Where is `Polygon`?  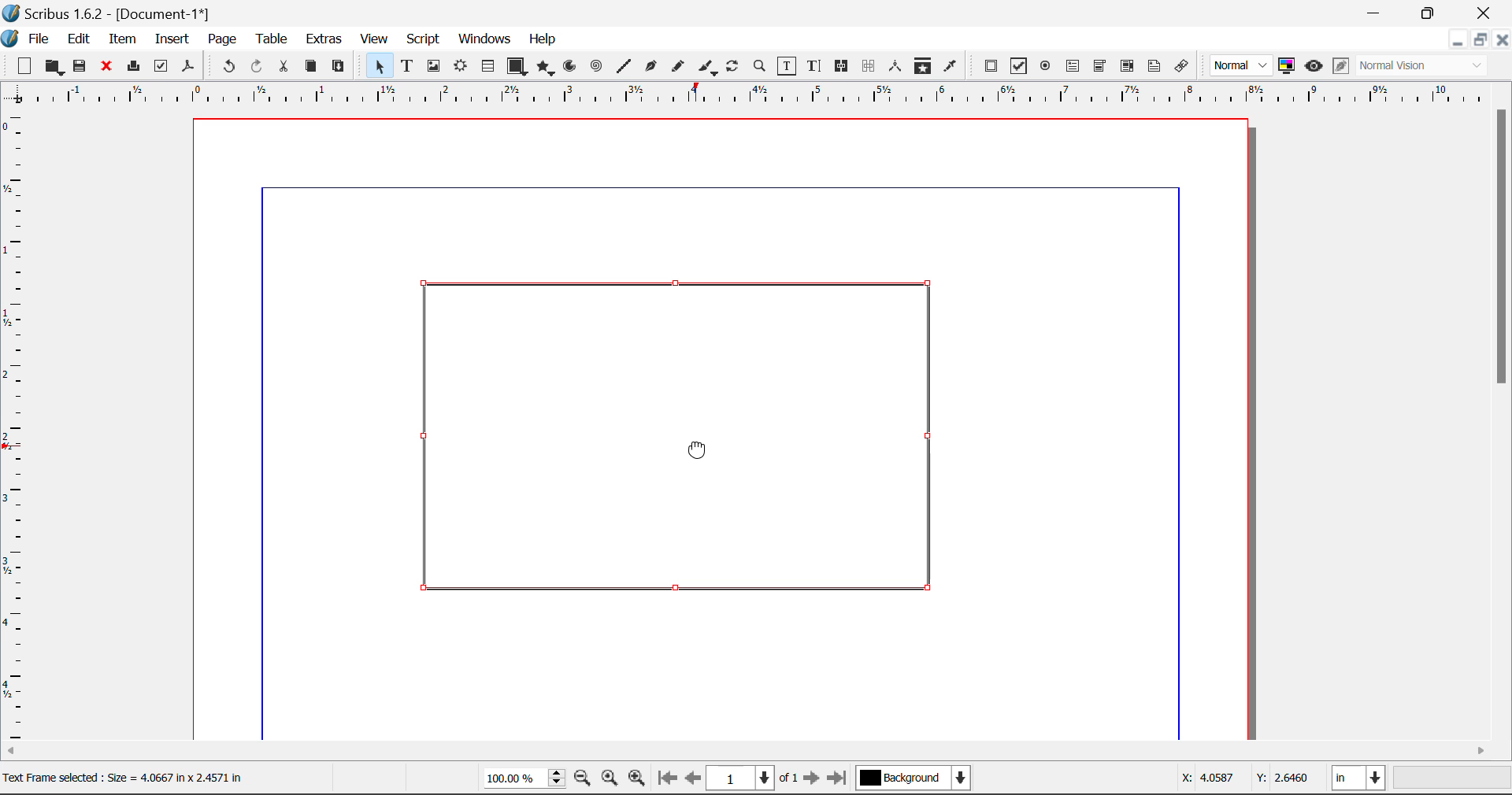
Polygon is located at coordinates (547, 68).